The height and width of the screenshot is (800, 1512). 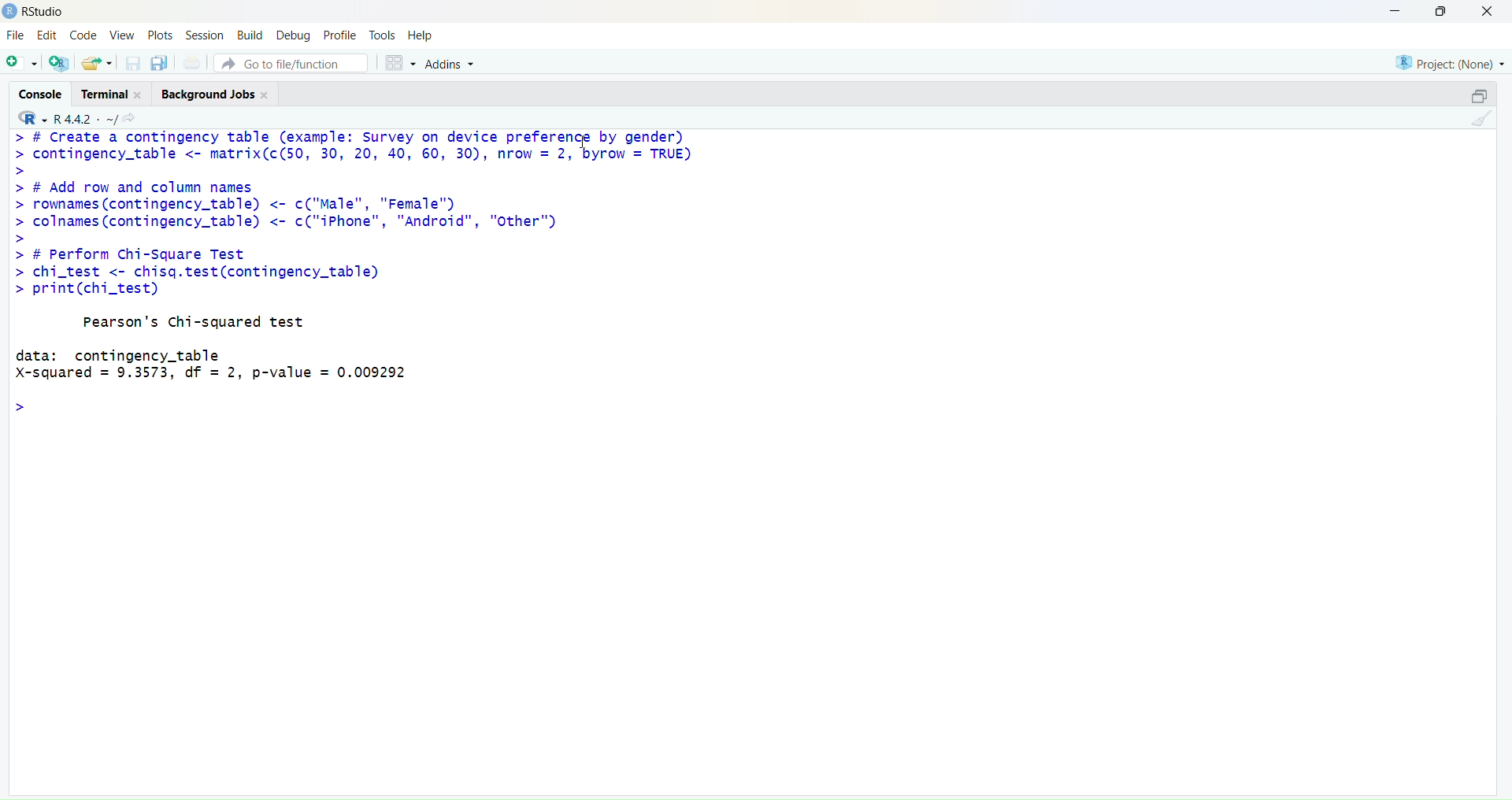 I want to click on maximise, so click(x=1441, y=11).